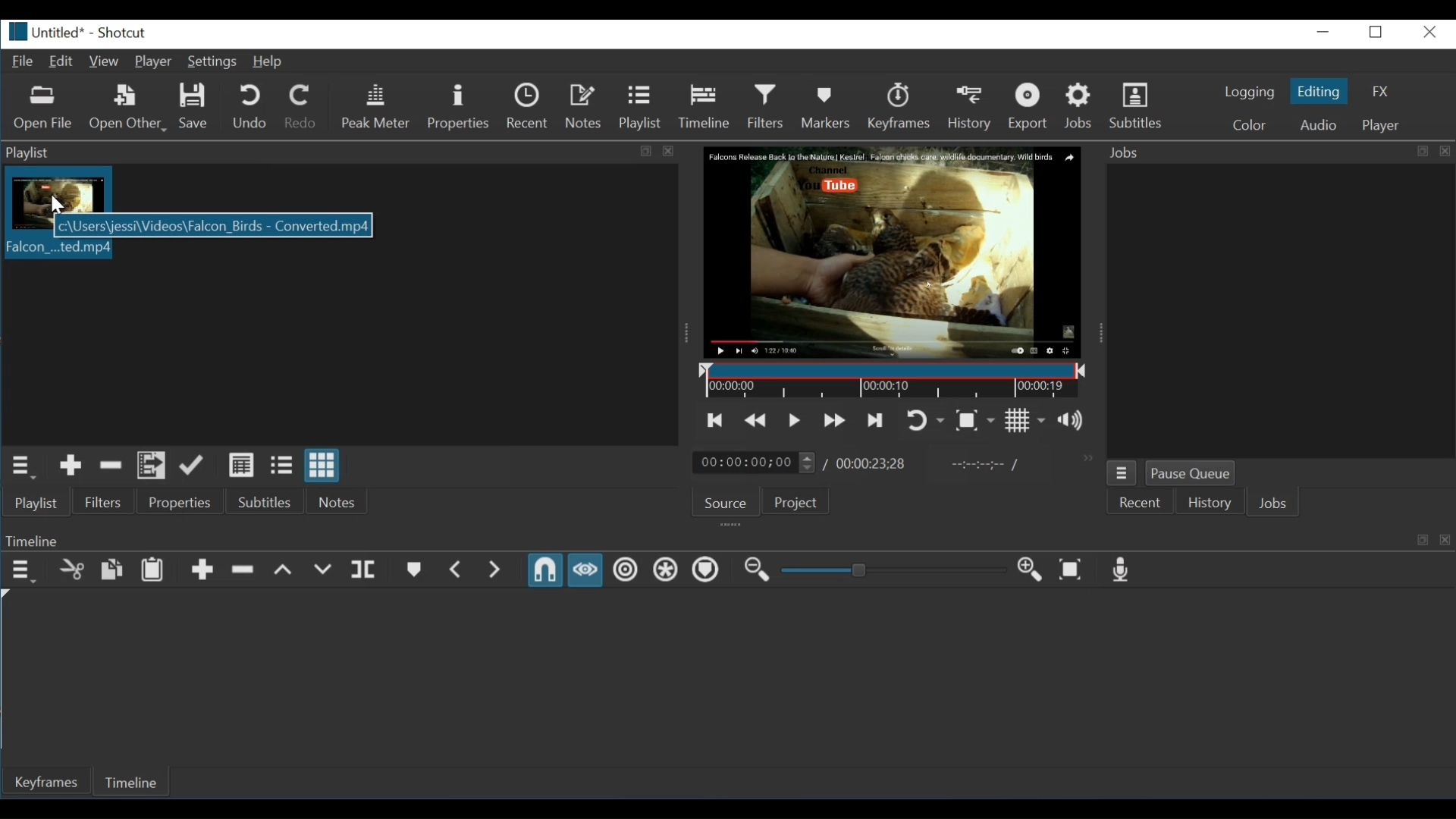 This screenshot has height=819, width=1456. Describe the element at coordinates (704, 570) in the screenshot. I see `Ripple markers` at that location.